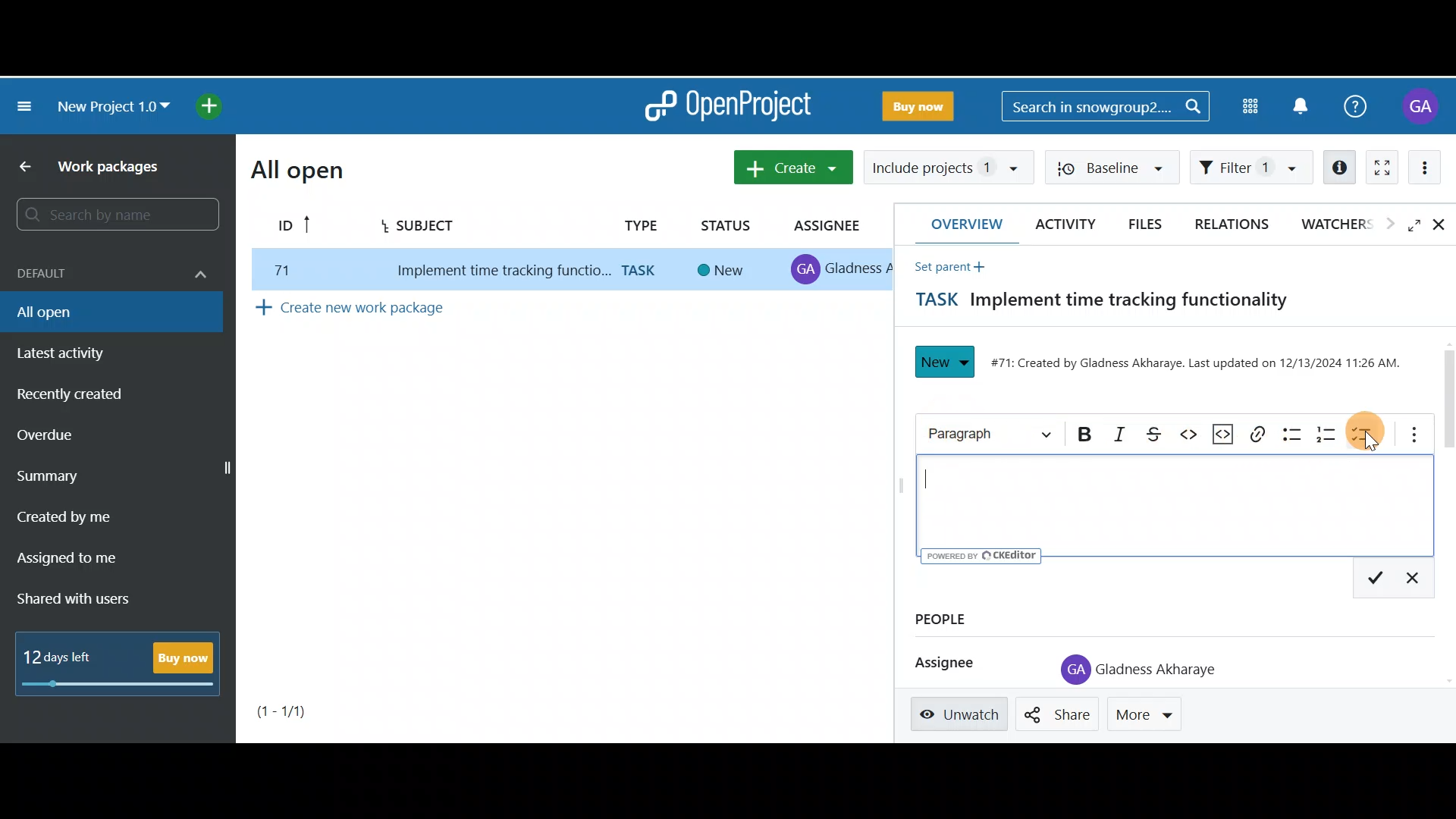  What do you see at coordinates (726, 106) in the screenshot?
I see `OpenProject` at bounding box center [726, 106].